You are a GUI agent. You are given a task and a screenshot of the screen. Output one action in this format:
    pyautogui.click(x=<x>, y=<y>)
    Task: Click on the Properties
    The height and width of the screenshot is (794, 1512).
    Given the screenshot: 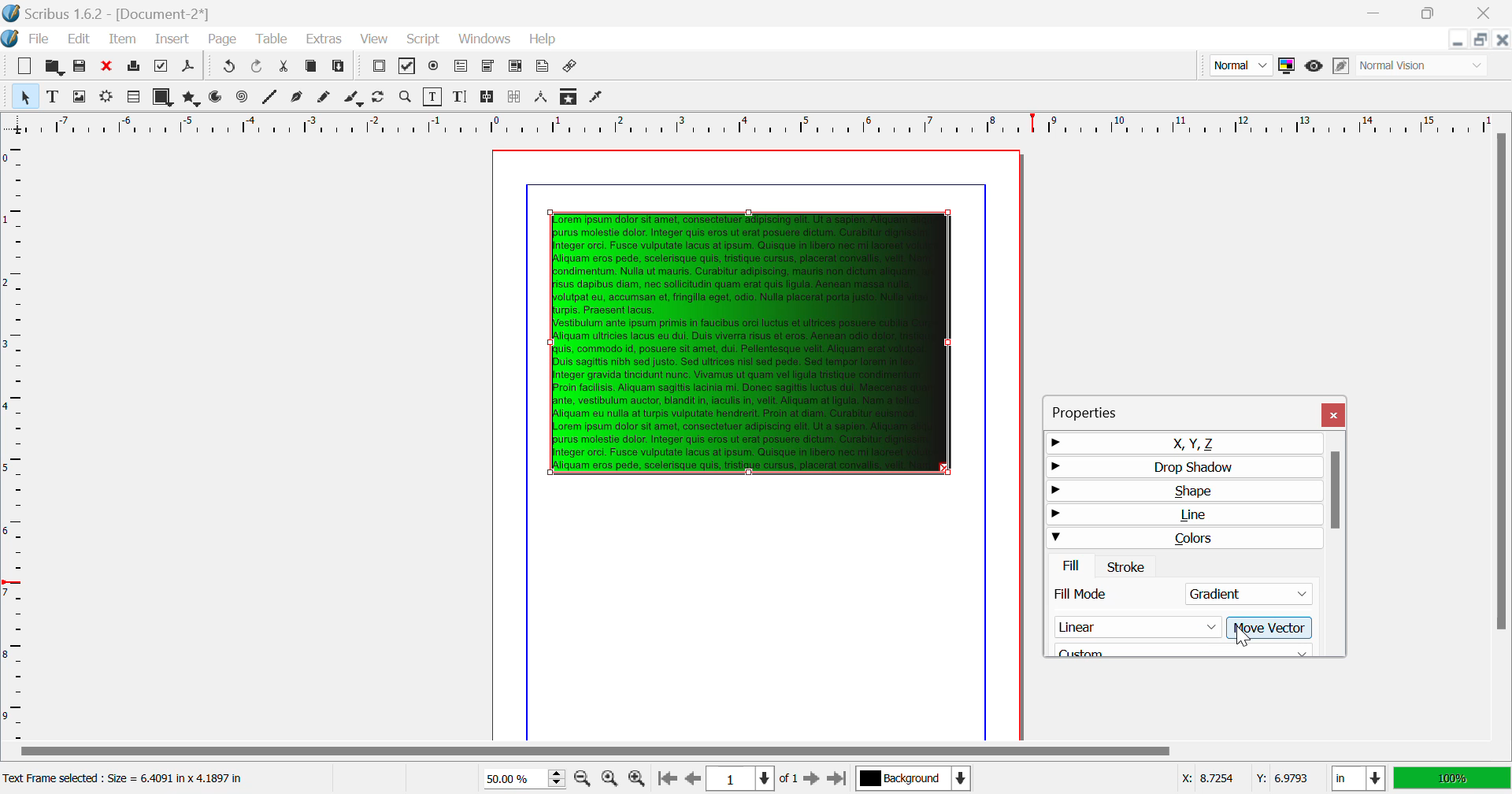 What is the action you would take?
    pyautogui.click(x=1102, y=410)
    